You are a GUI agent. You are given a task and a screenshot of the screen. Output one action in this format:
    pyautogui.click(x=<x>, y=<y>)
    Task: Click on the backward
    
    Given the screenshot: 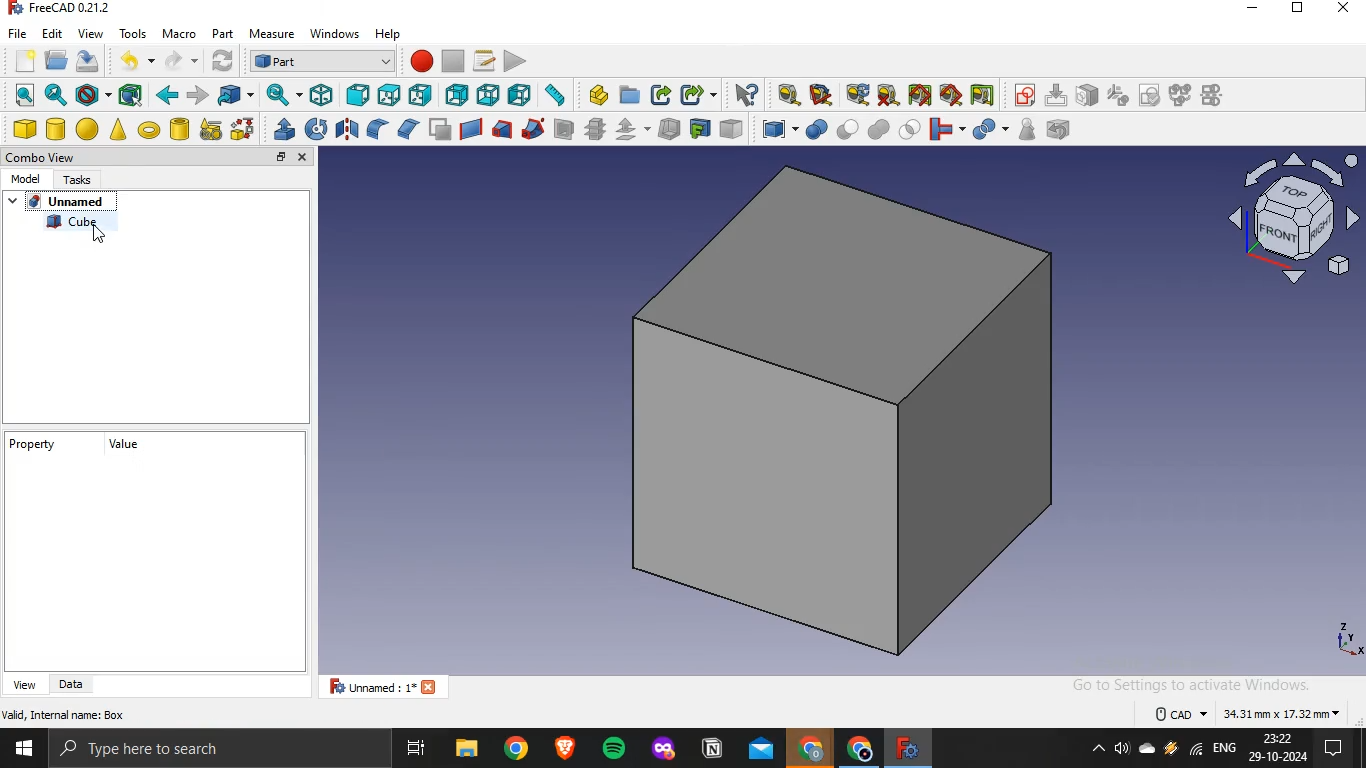 What is the action you would take?
    pyautogui.click(x=166, y=95)
    